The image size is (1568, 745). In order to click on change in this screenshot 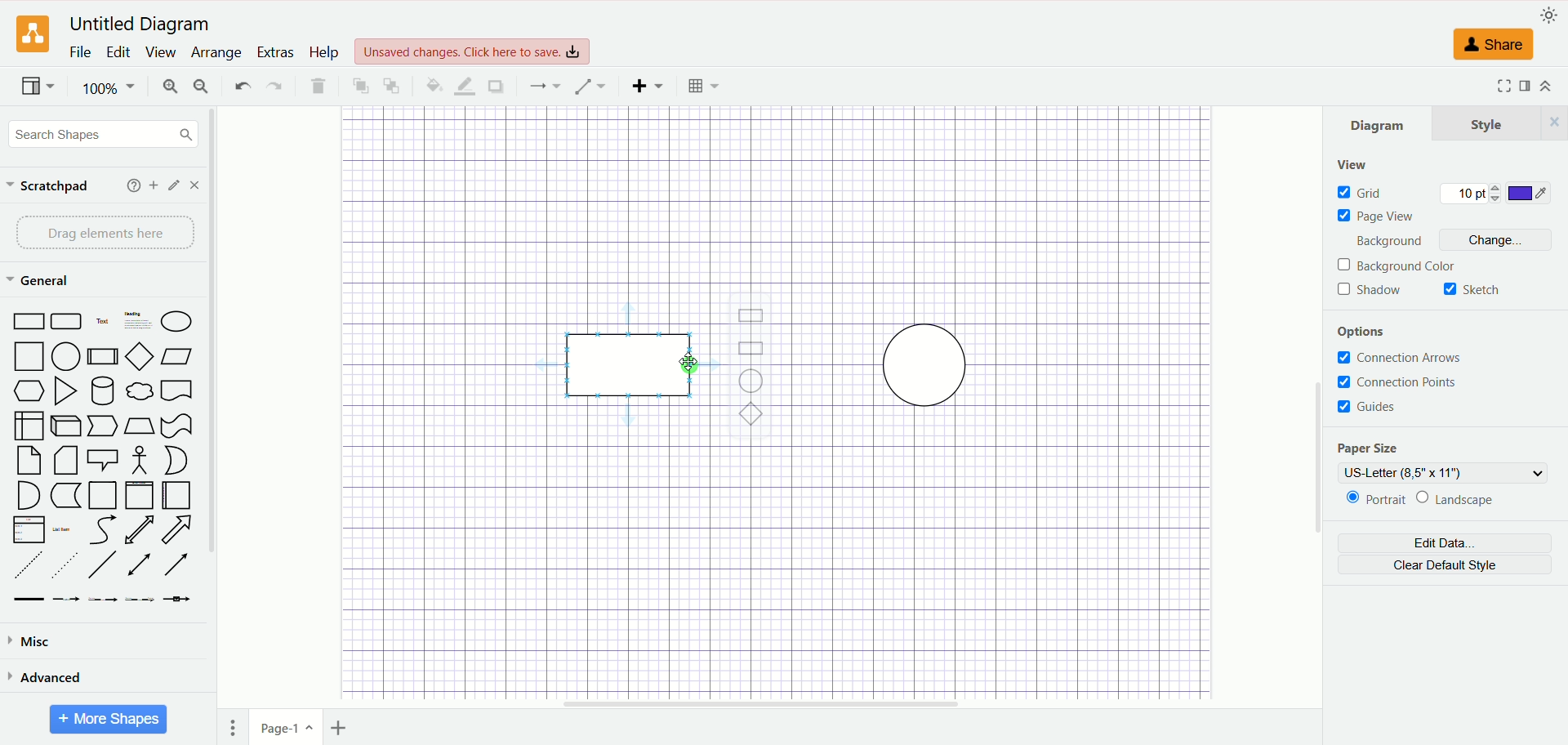, I will do `click(1501, 239)`.